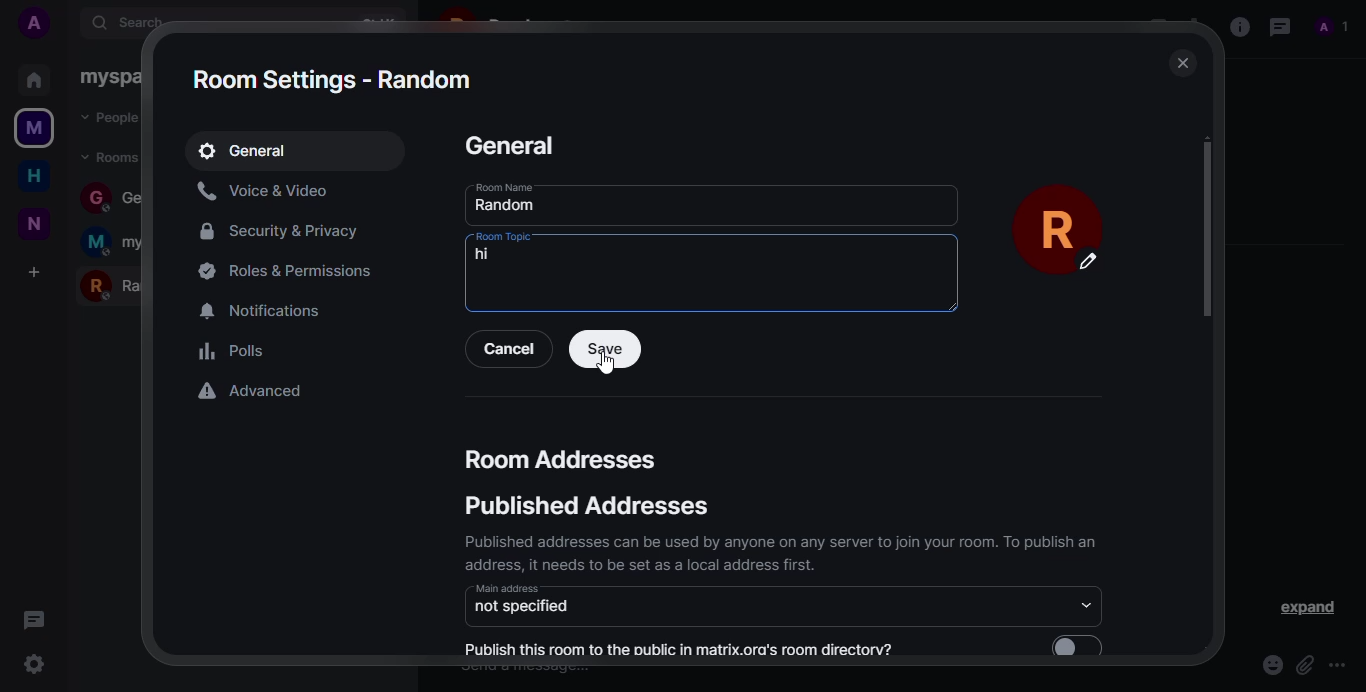  What do you see at coordinates (33, 225) in the screenshot?
I see `new` at bounding box center [33, 225].